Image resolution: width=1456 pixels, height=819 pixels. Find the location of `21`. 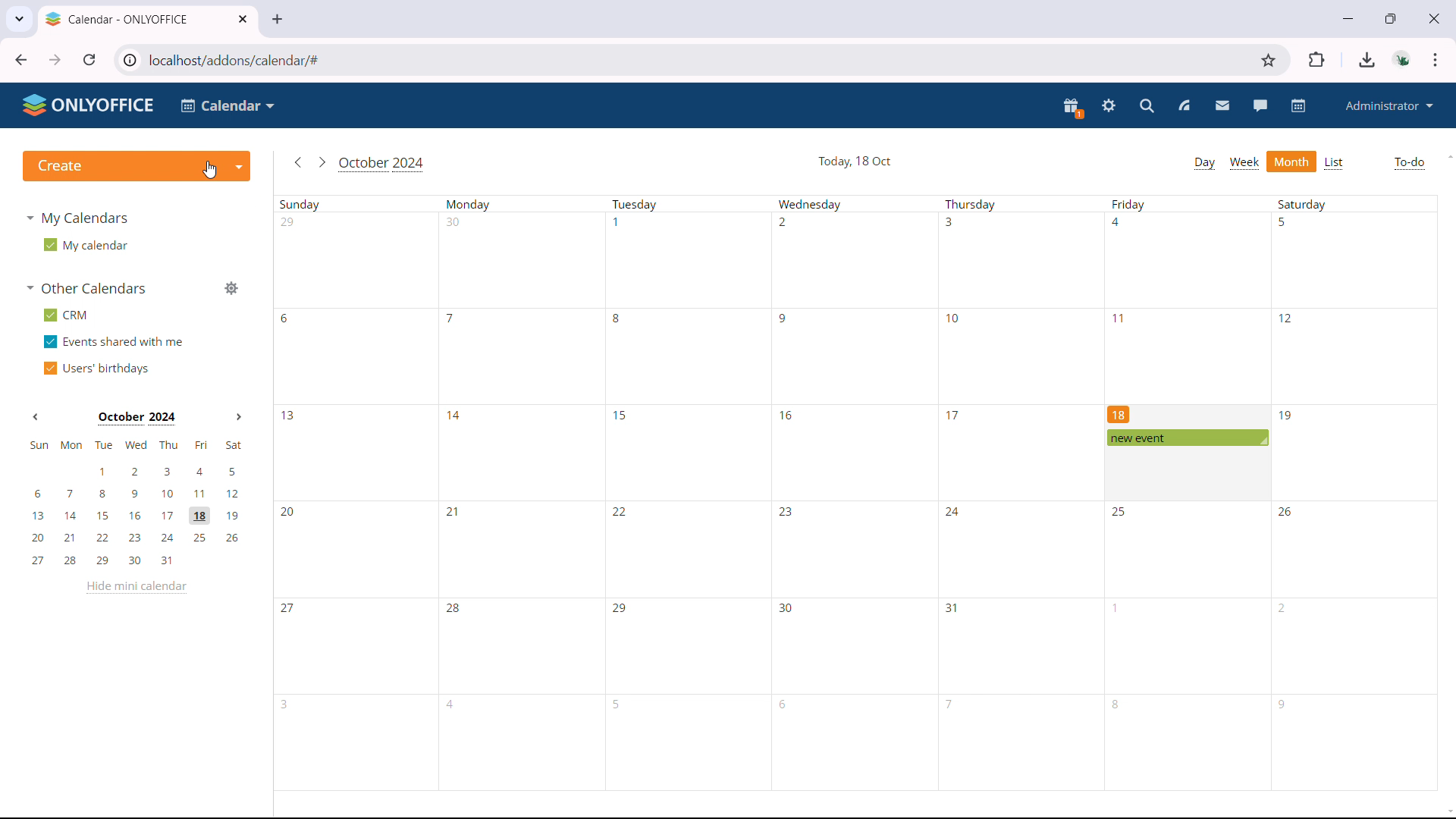

21 is located at coordinates (450, 510).